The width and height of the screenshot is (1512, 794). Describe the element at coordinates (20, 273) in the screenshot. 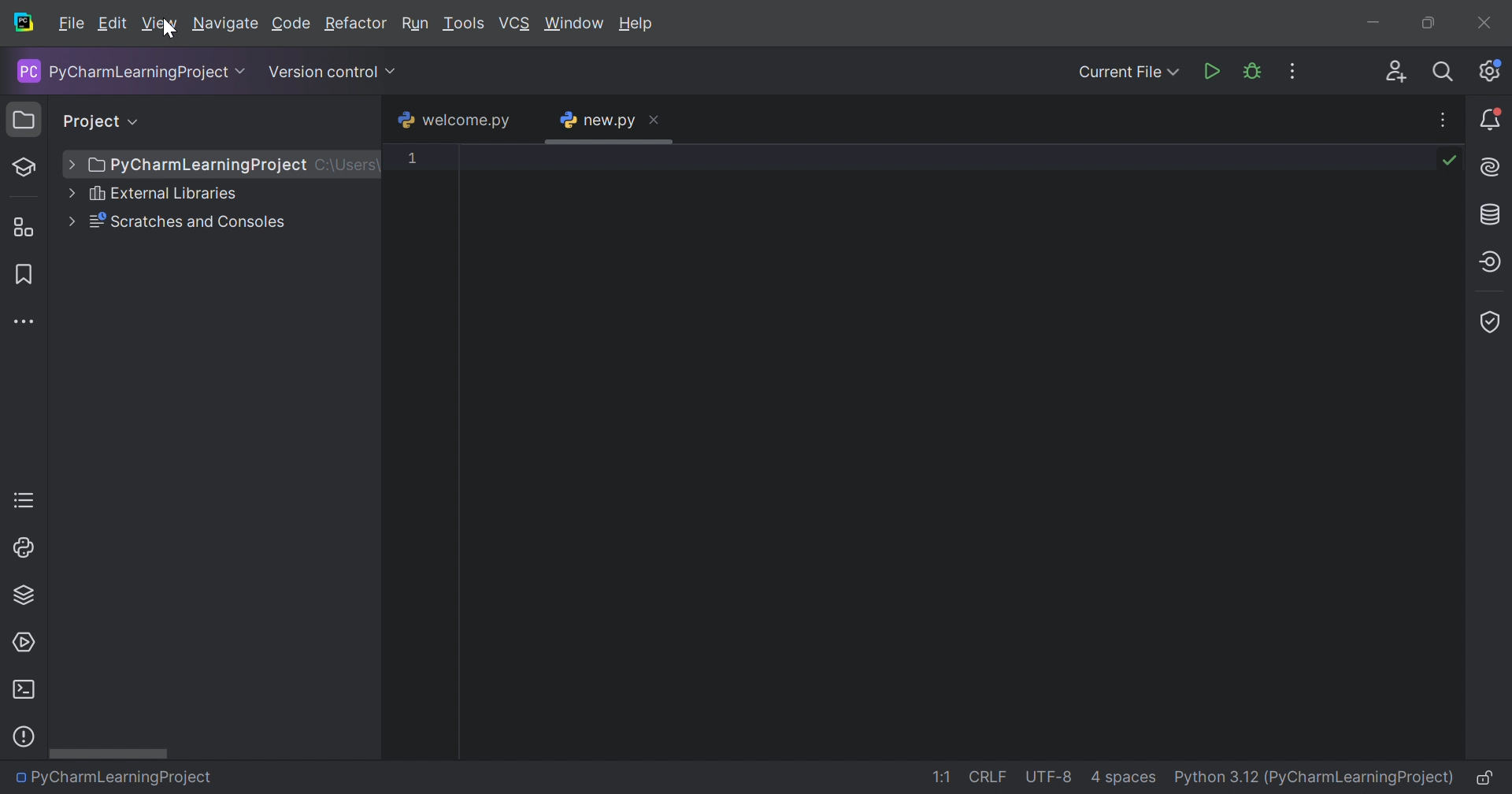

I see `Bookmark` at that location.